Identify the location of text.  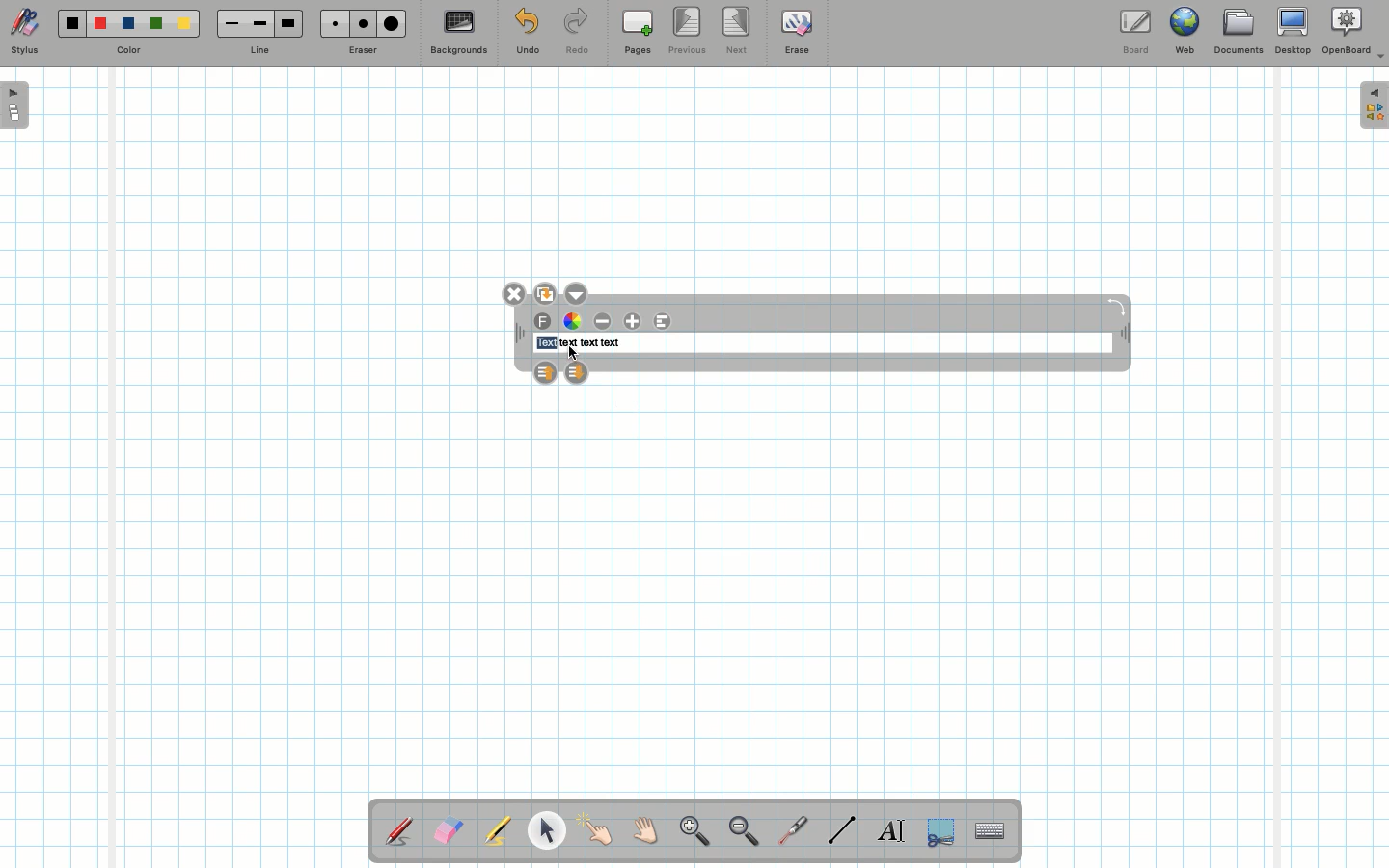
(567, 343).